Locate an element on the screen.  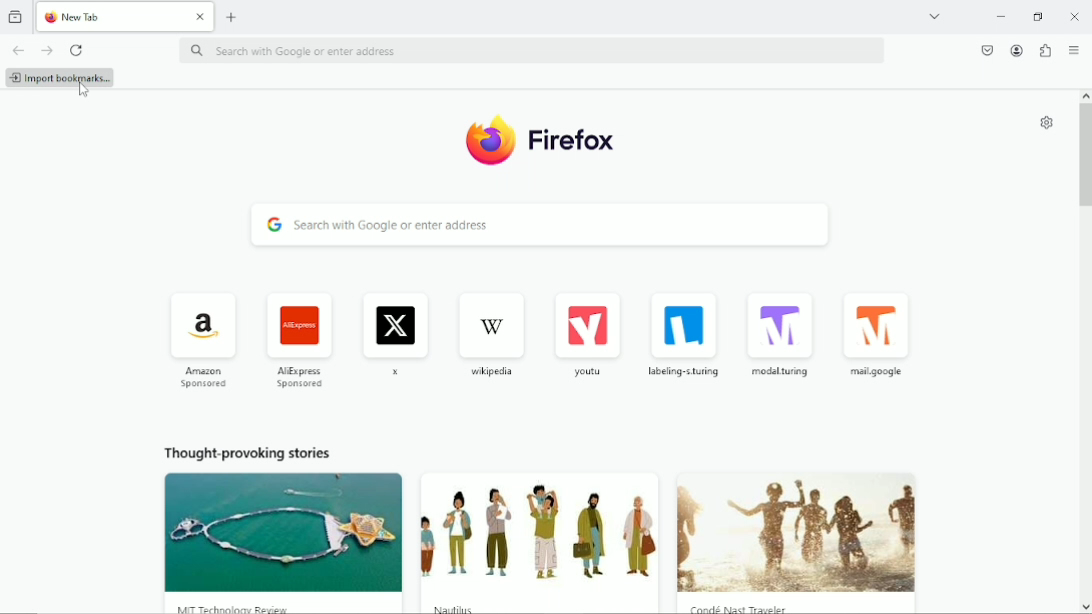
List all tabs is located at coordinates (935, 15).